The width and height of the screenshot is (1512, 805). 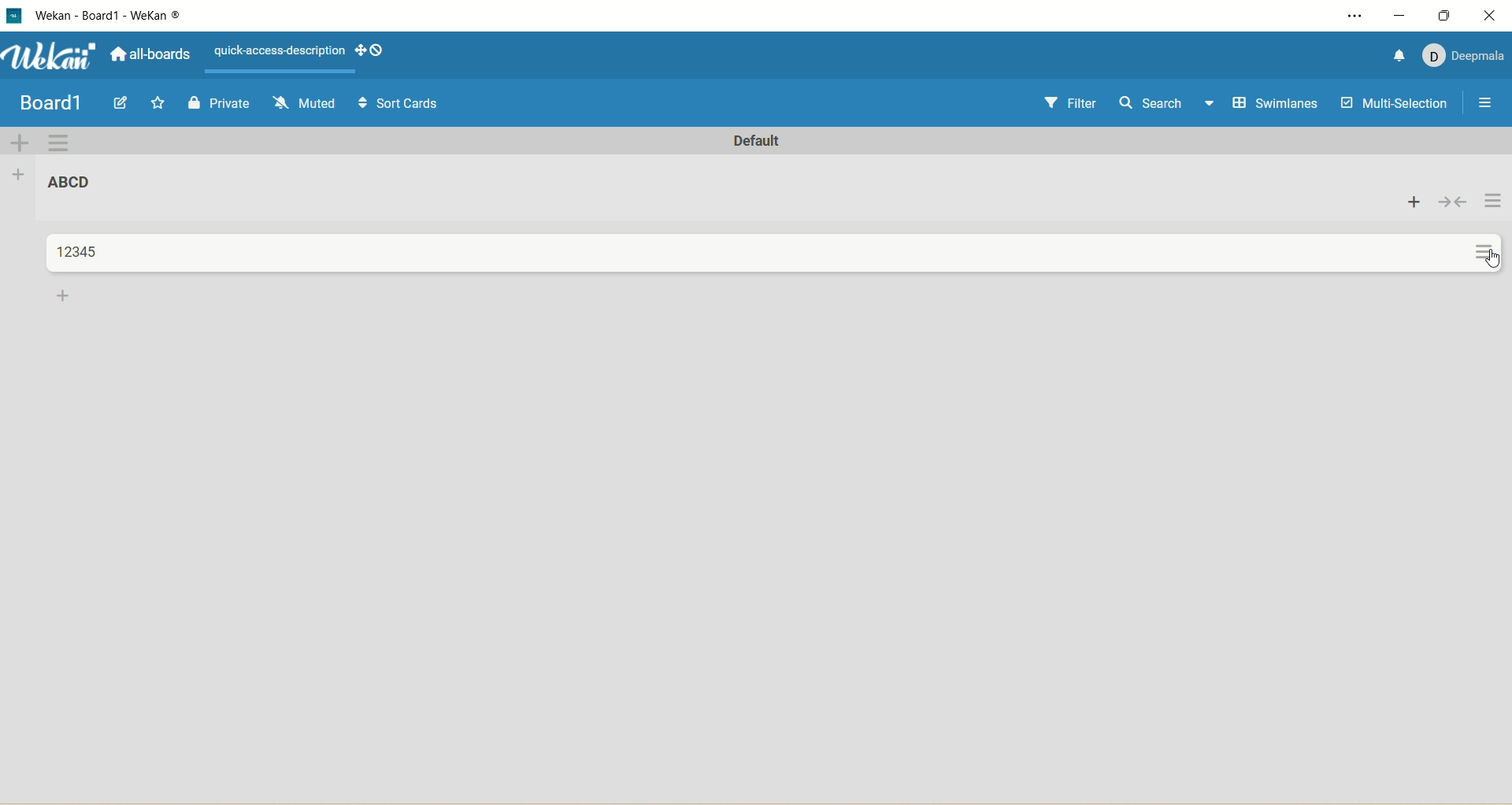 What do you see at coordinates (1400, 56) in the screenshot?
I see `notification` at bounding box center [1400, 56].